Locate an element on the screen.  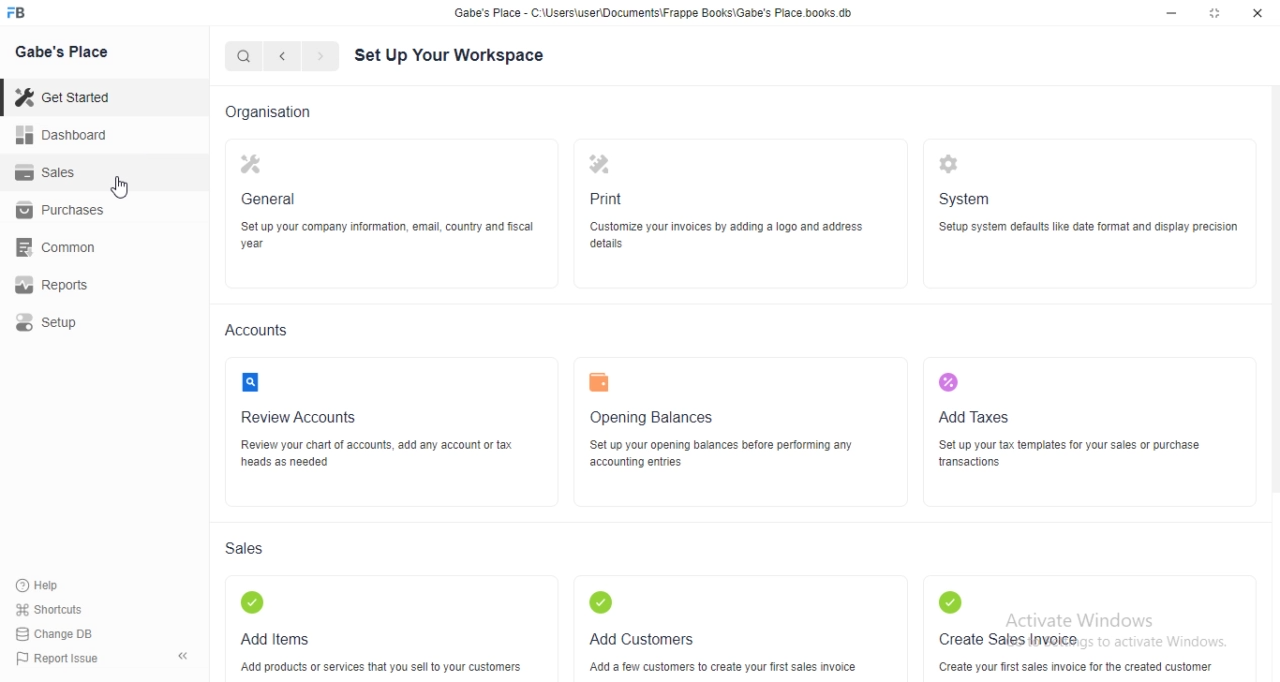
Report Issue is located at coordinates (69, 658).